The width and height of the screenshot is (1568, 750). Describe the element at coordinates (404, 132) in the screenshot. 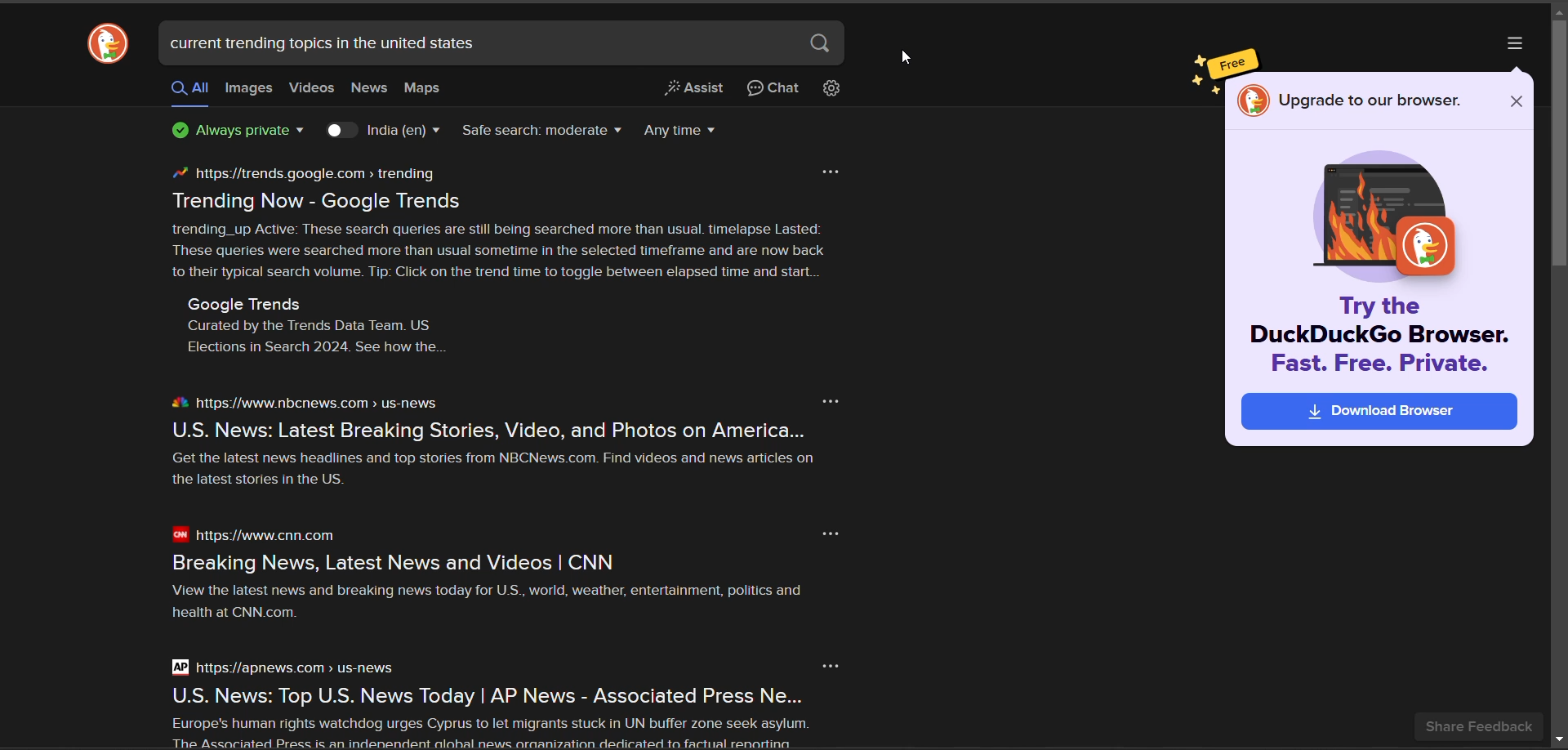

I see `country` at that location.